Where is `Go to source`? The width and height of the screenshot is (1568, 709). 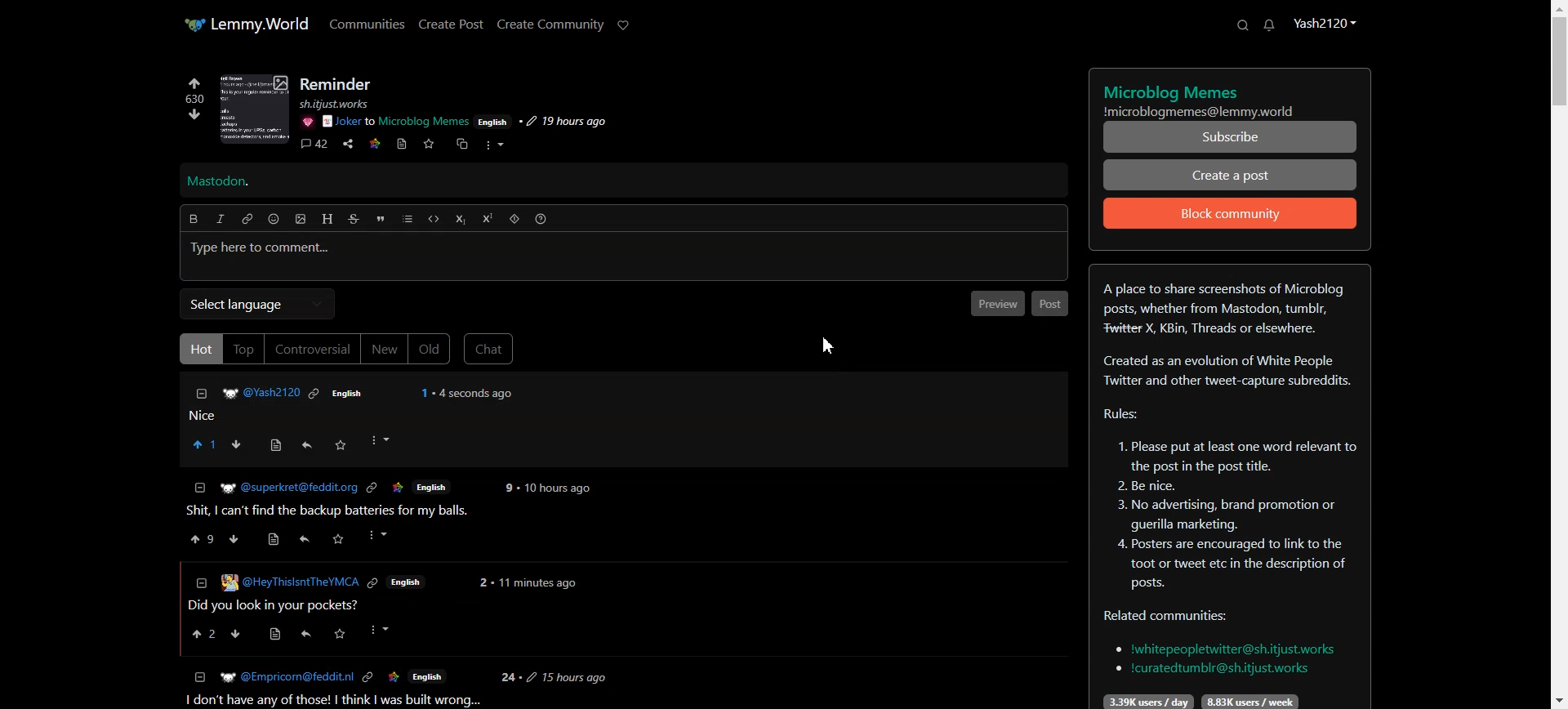
Go to source is located at coordinates (403, 144).